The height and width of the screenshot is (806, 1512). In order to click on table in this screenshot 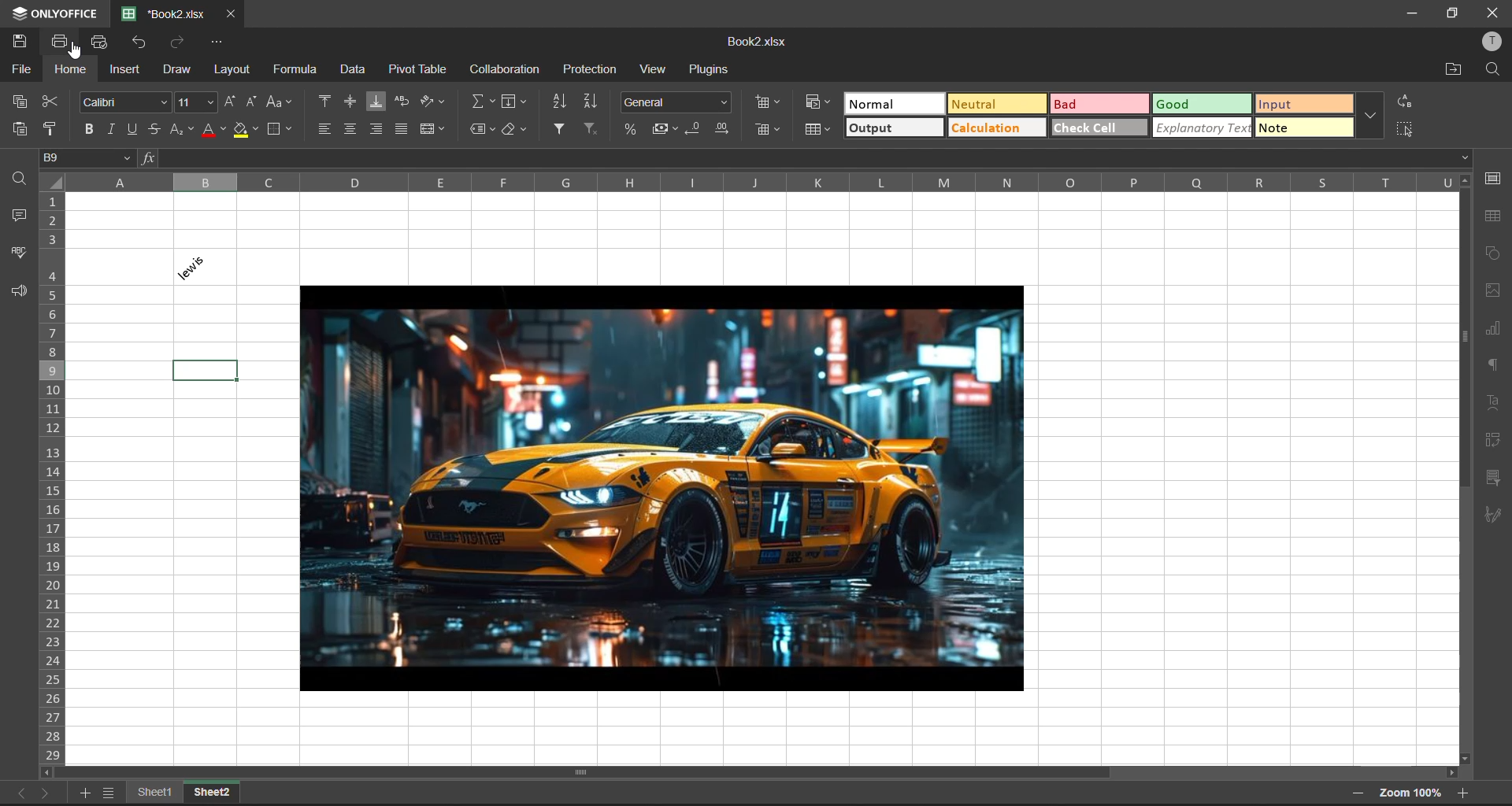, I will do `click(1495, 219)`.